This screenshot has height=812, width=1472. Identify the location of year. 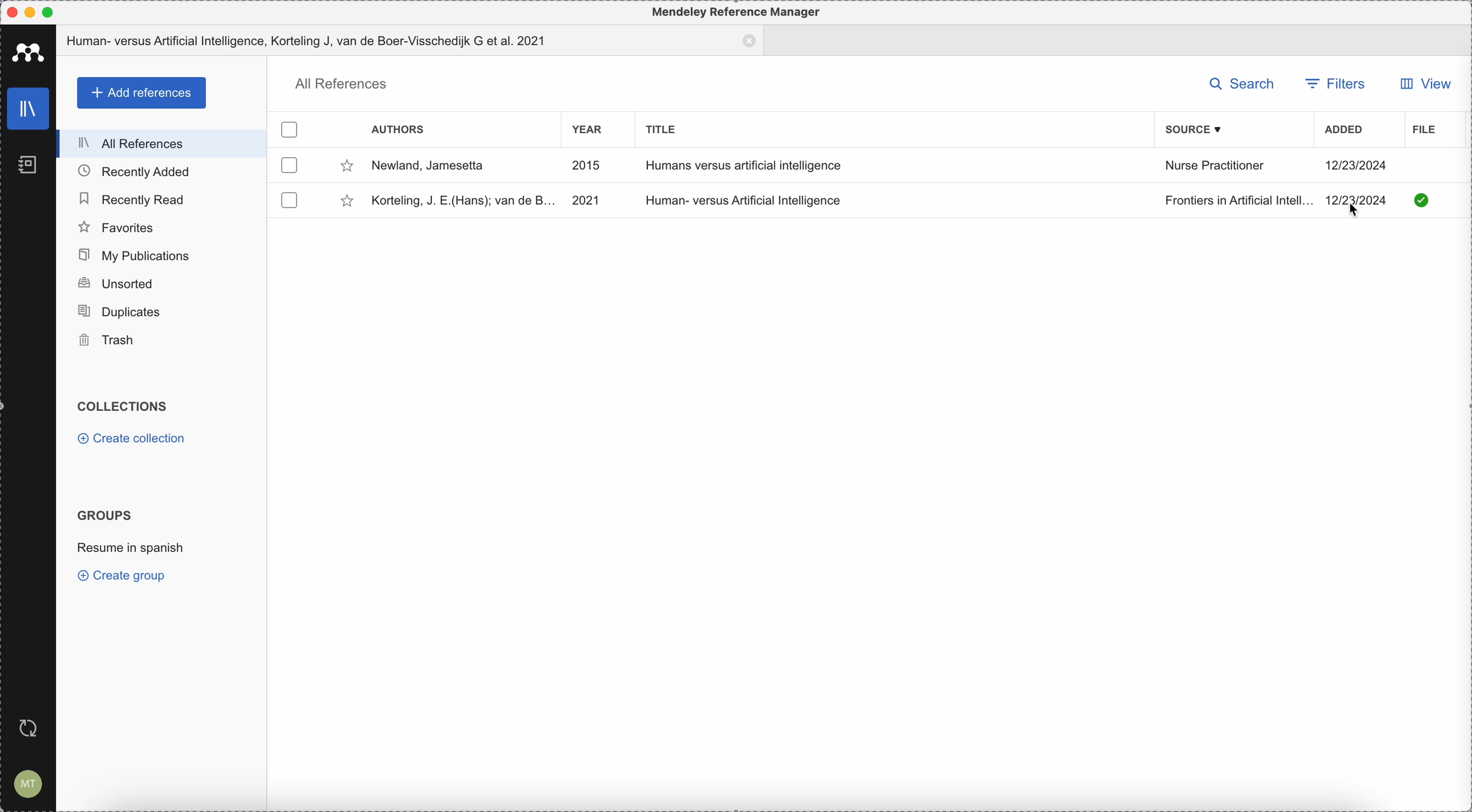
(587, 130).